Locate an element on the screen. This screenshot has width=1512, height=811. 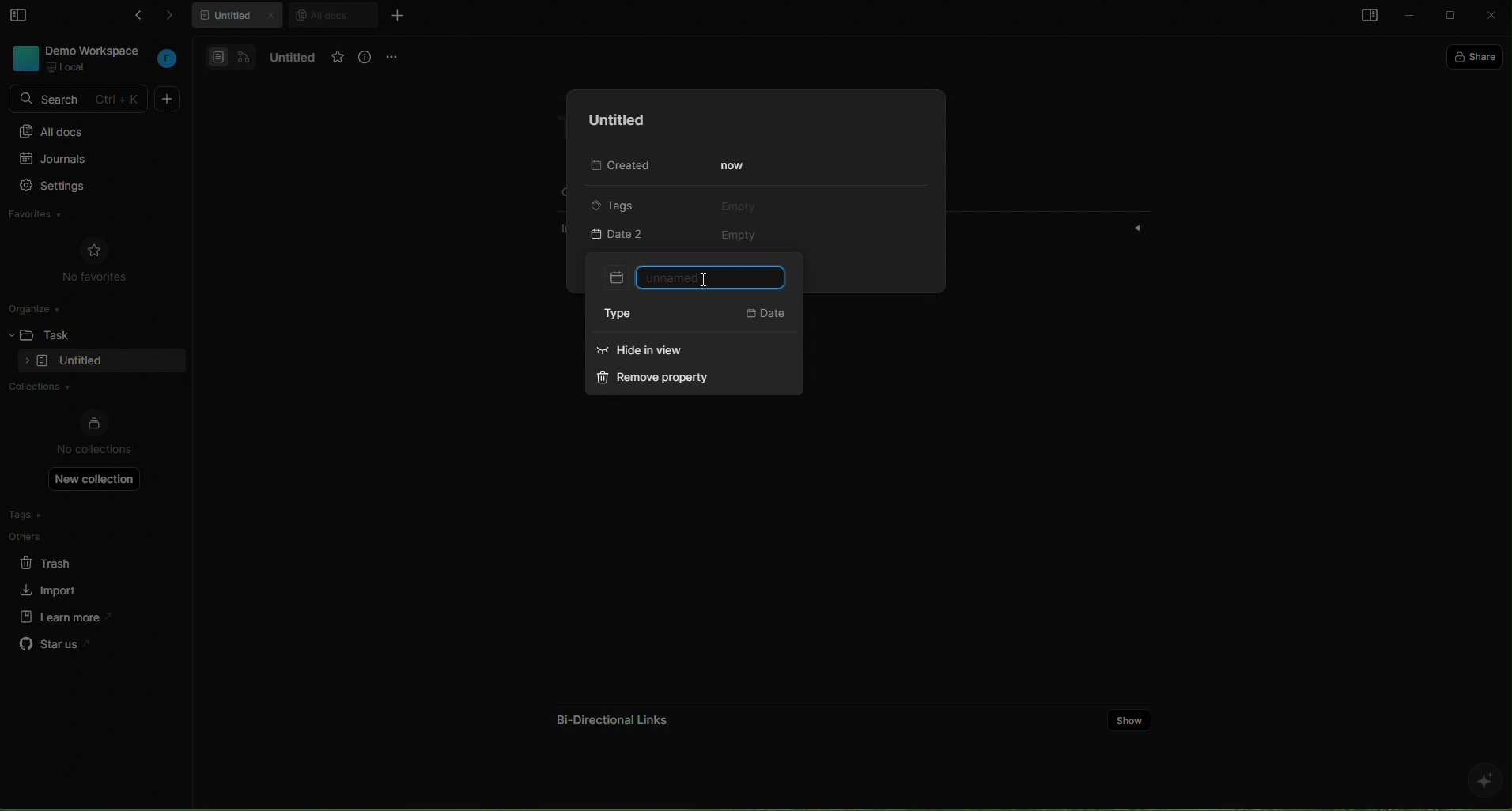
DEMO WORKSPACE is located at coordinates (97, 50).